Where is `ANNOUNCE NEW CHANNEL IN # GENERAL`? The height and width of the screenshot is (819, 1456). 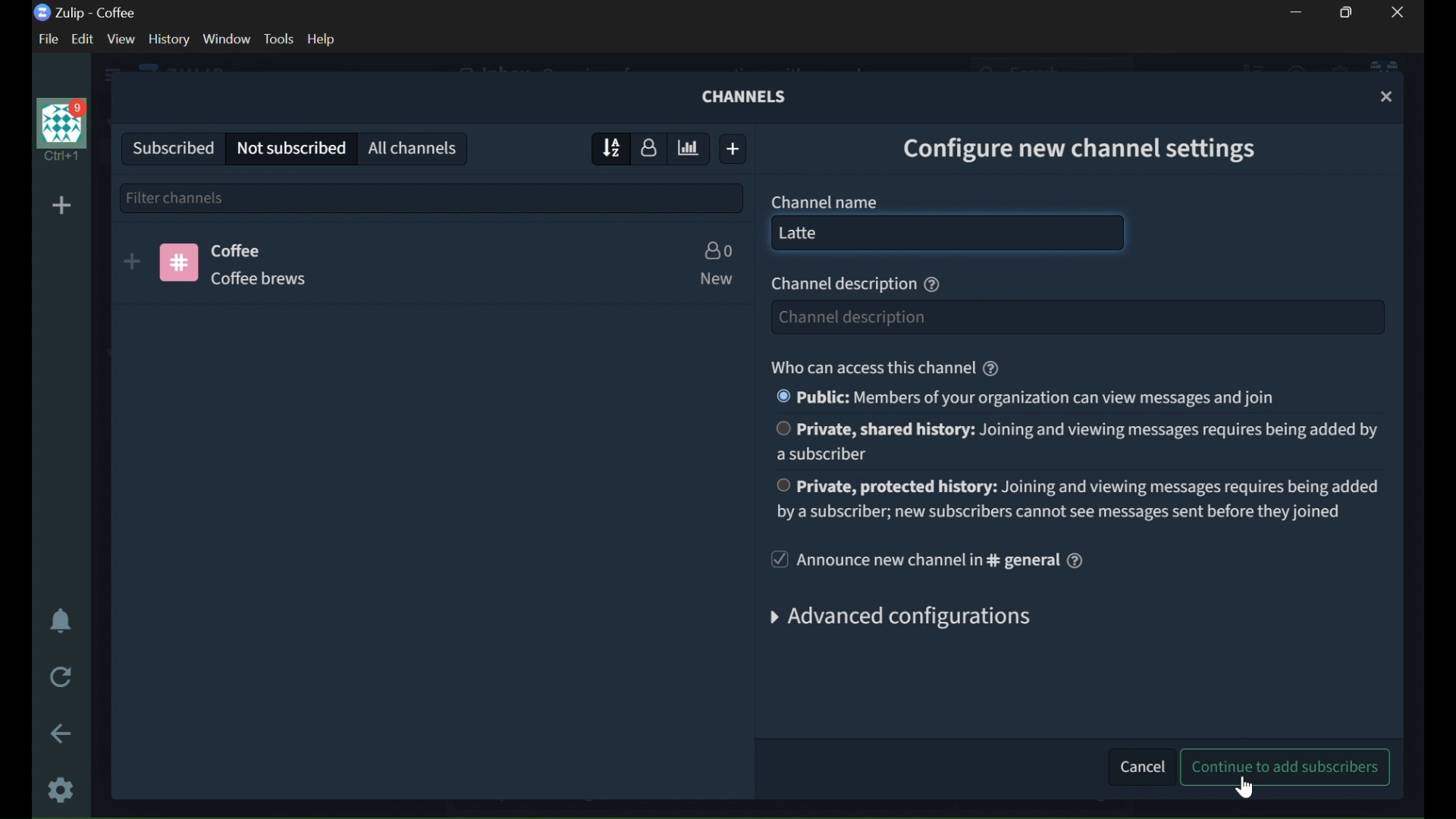
ANNOUNCE NEW CHANNEL IN # GENERAL is located at coordinates (912, 560).